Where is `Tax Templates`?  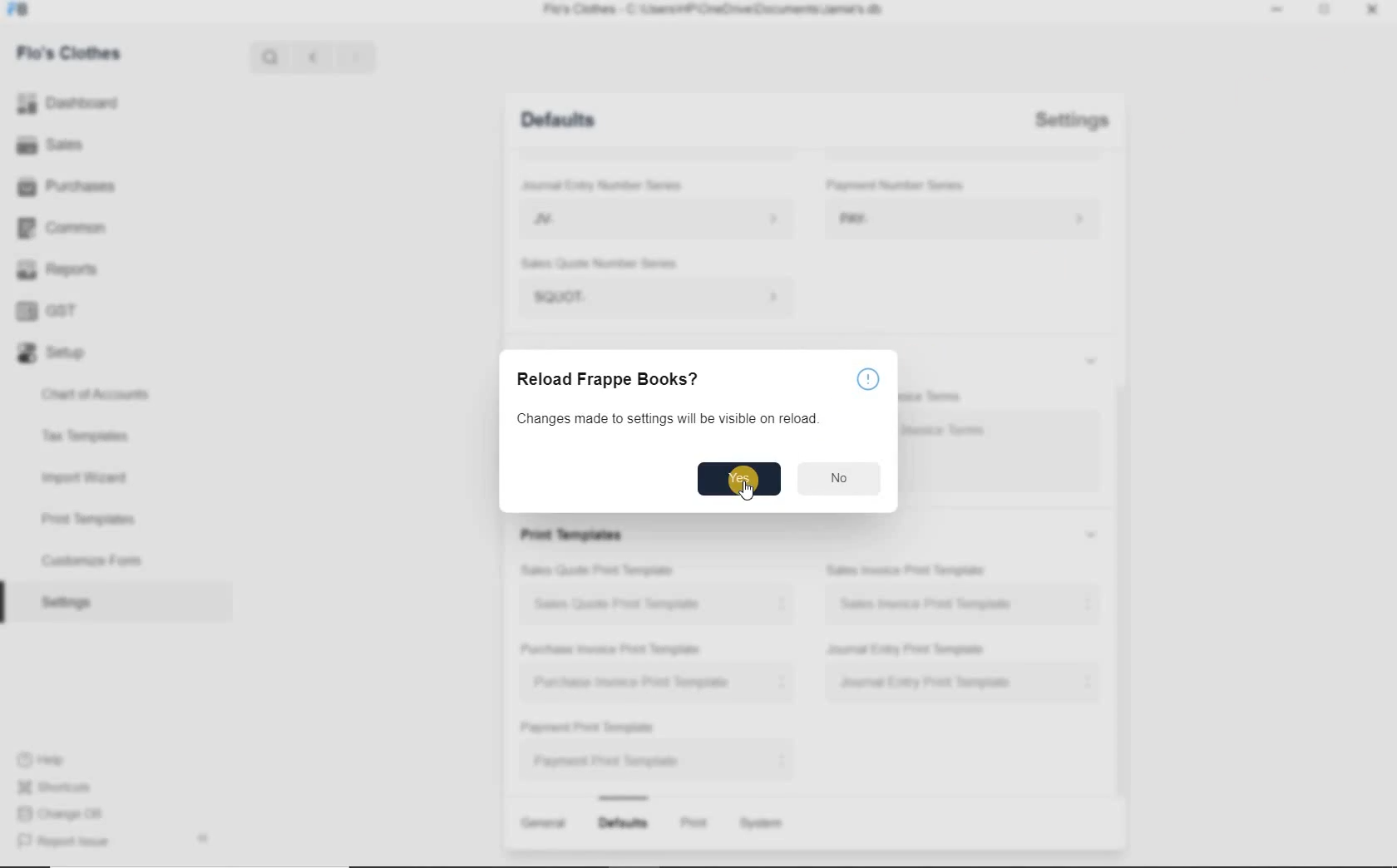
Tax Templates is located at coordinates (91, 435).